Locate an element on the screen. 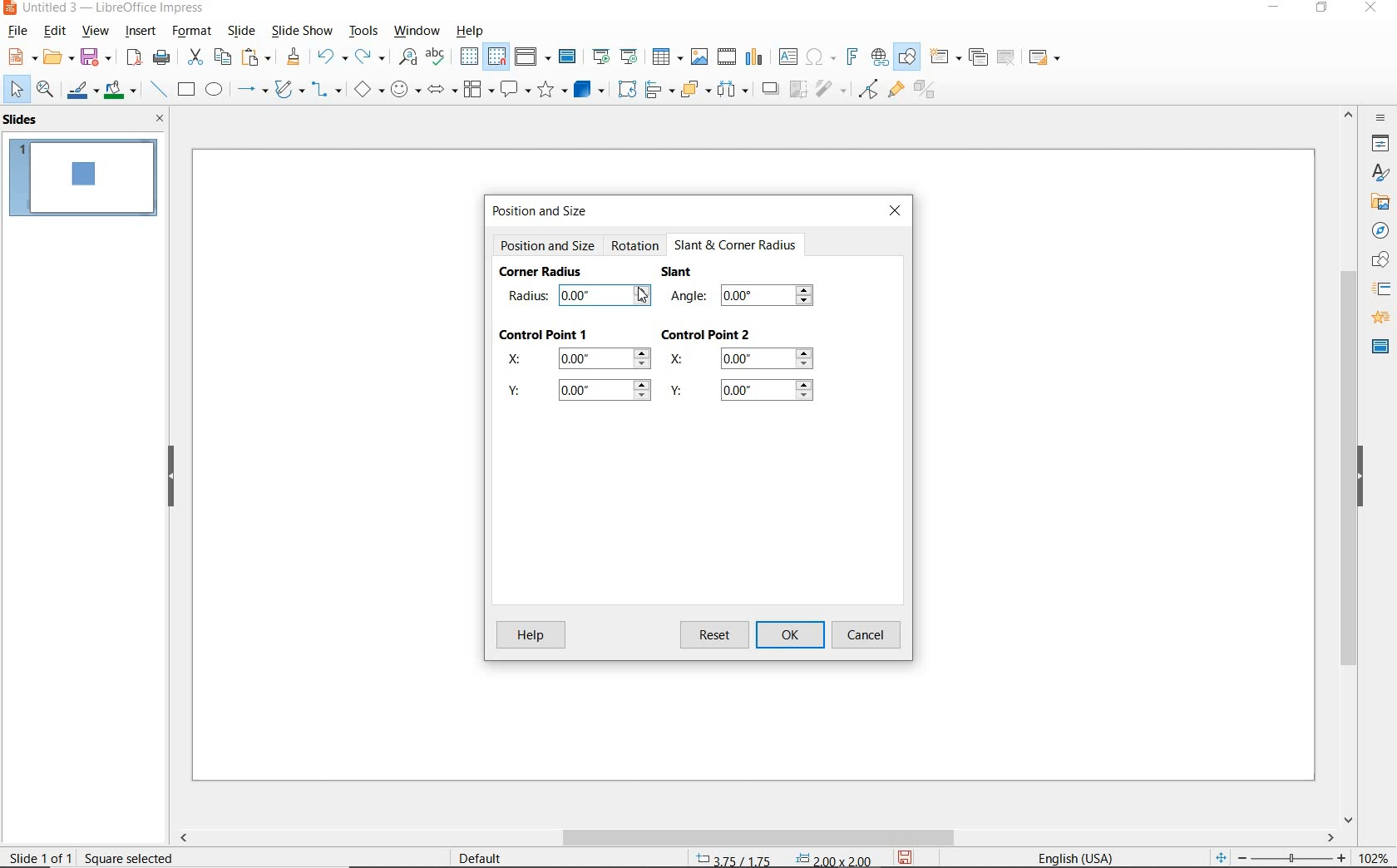  sheet 1 of 1 is located at coordinates (42, 856).